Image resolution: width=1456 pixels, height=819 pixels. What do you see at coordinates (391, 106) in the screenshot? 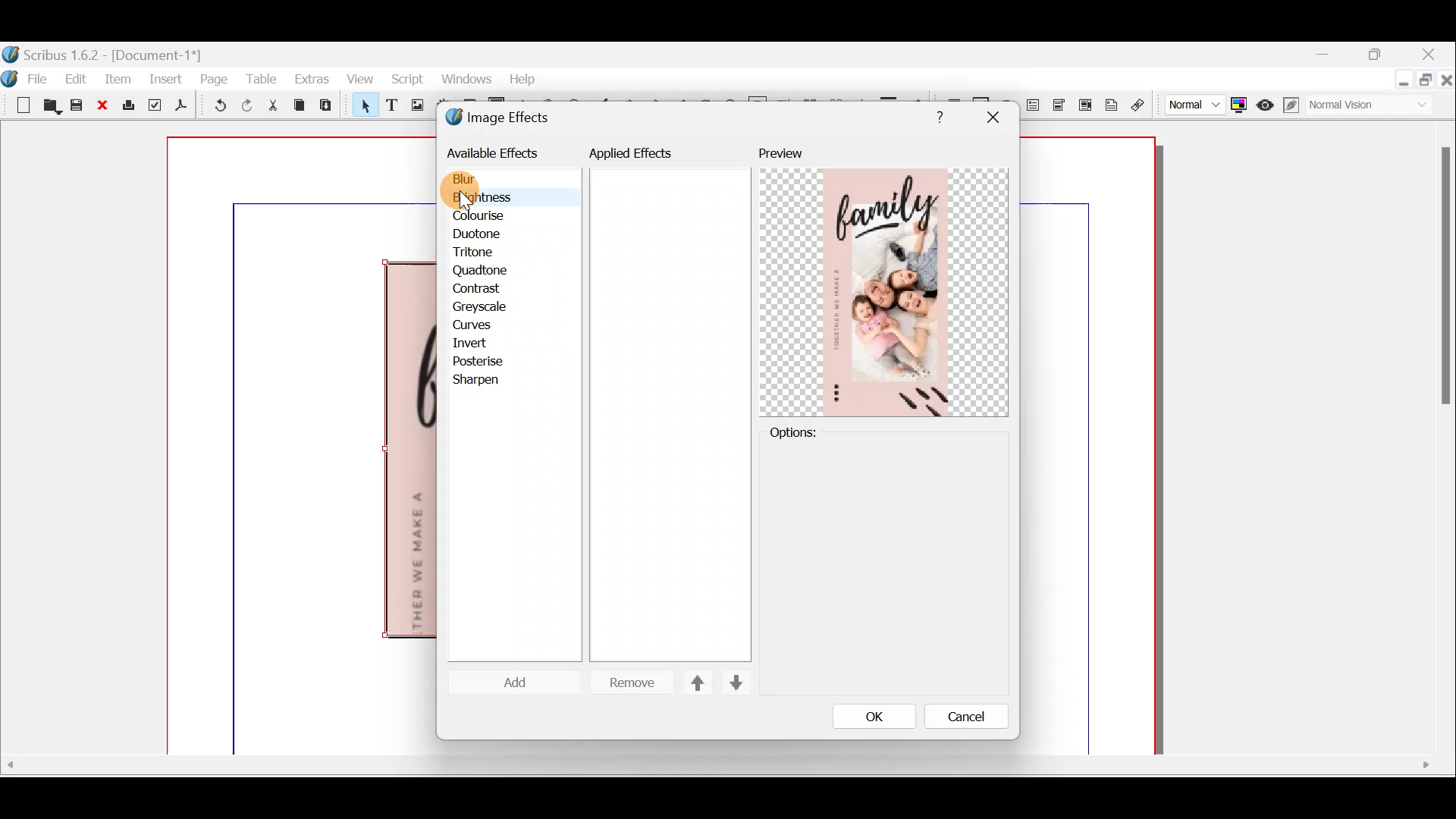
I see `Text frame` at bounding box center [391, 106].